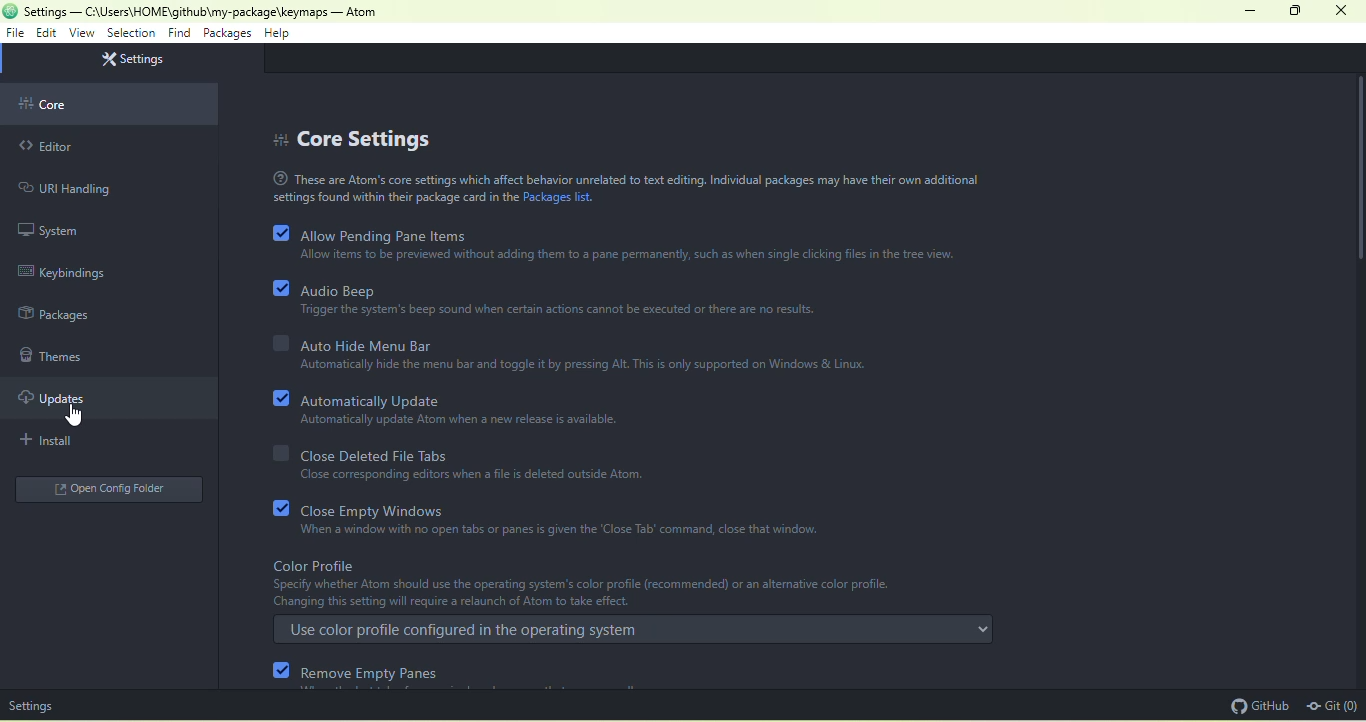 The height and width of the screenshot is (722, 1366). I want to click on checkbox with ticks, so click(280, 234).